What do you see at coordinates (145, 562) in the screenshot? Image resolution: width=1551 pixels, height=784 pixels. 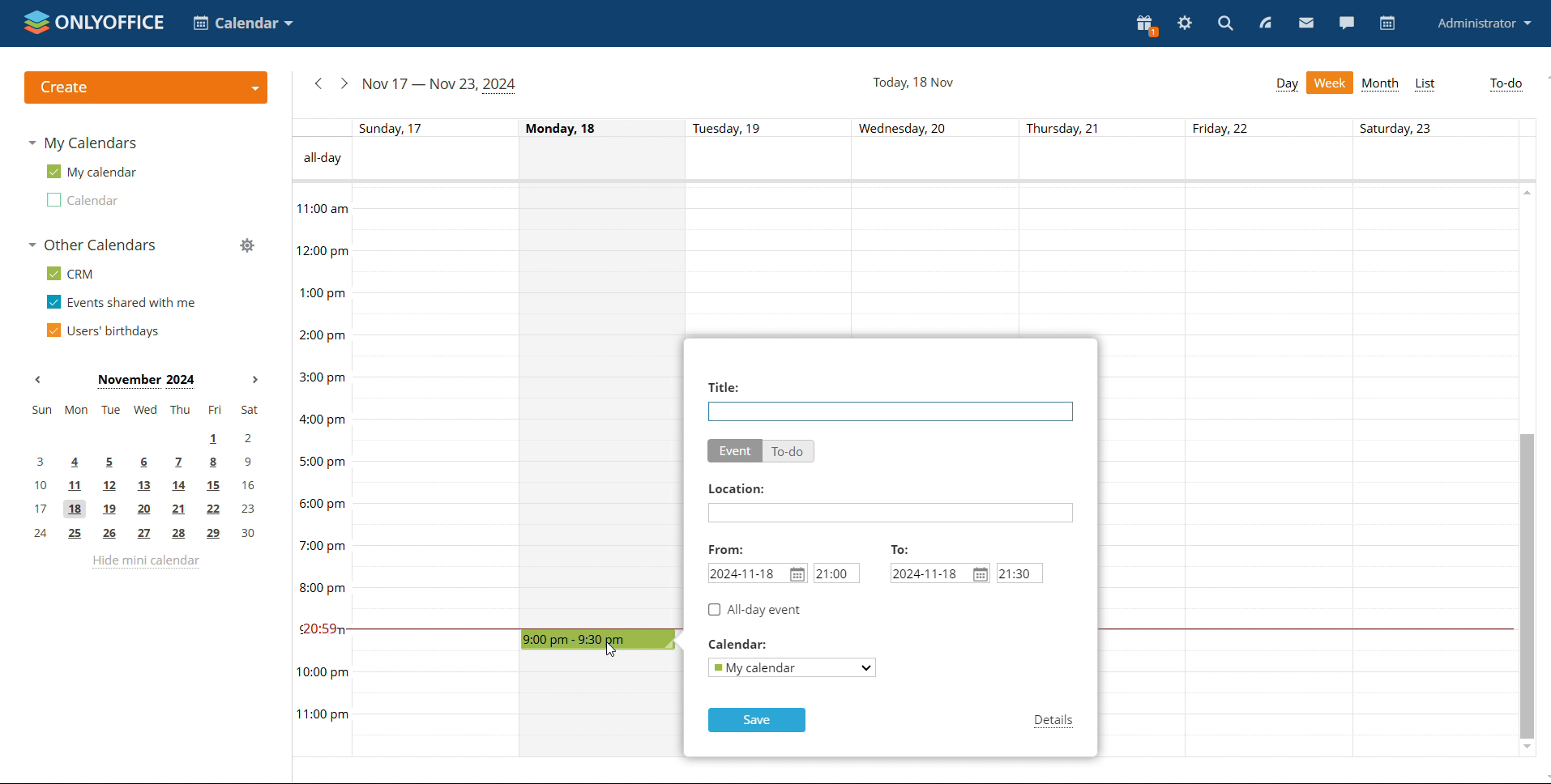 I see `hide mini calendar` at bounding box center [145, 562].